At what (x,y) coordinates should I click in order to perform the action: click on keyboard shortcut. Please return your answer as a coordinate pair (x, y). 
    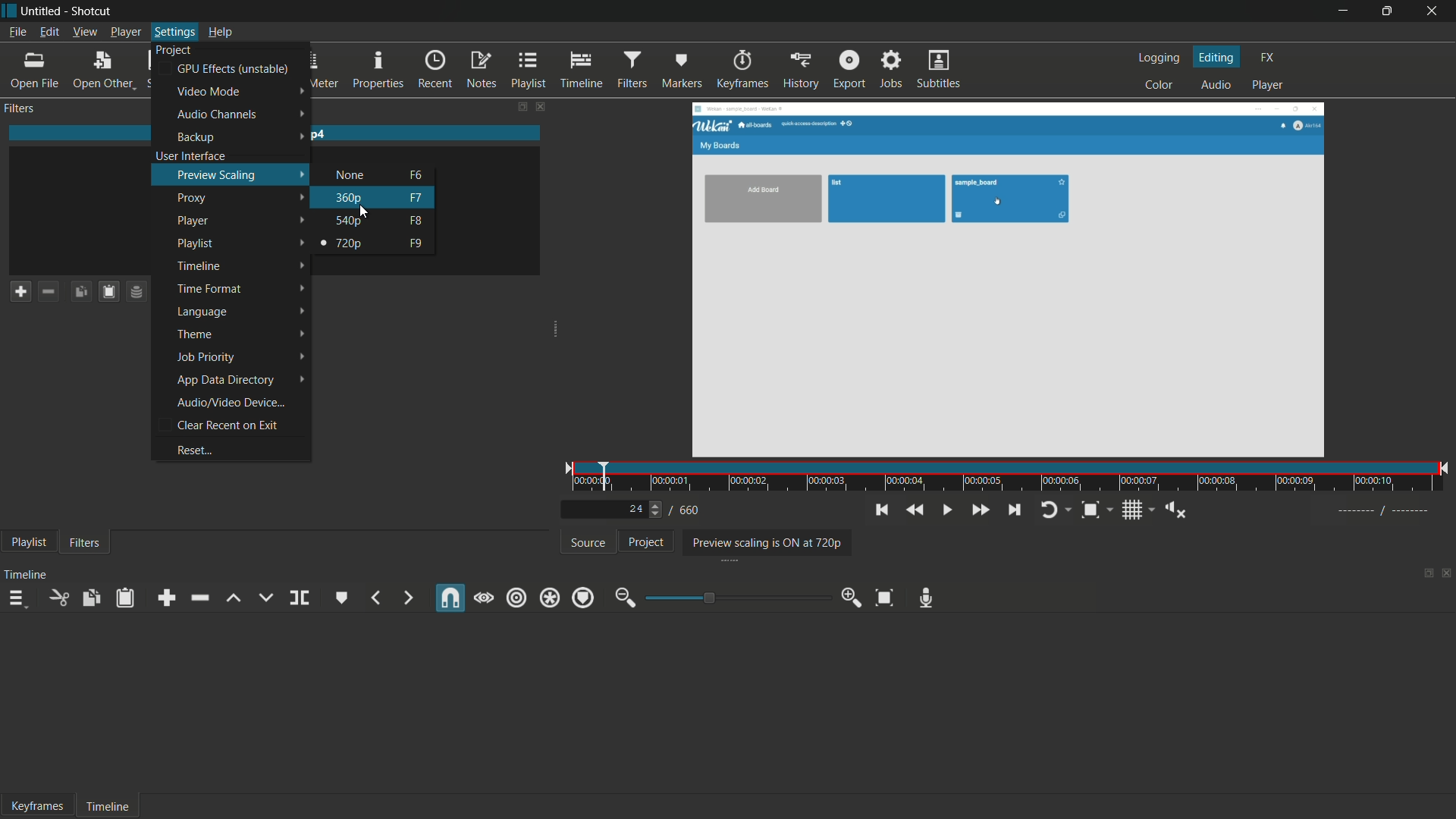
    Looking at the image, I should click on (416, 175).